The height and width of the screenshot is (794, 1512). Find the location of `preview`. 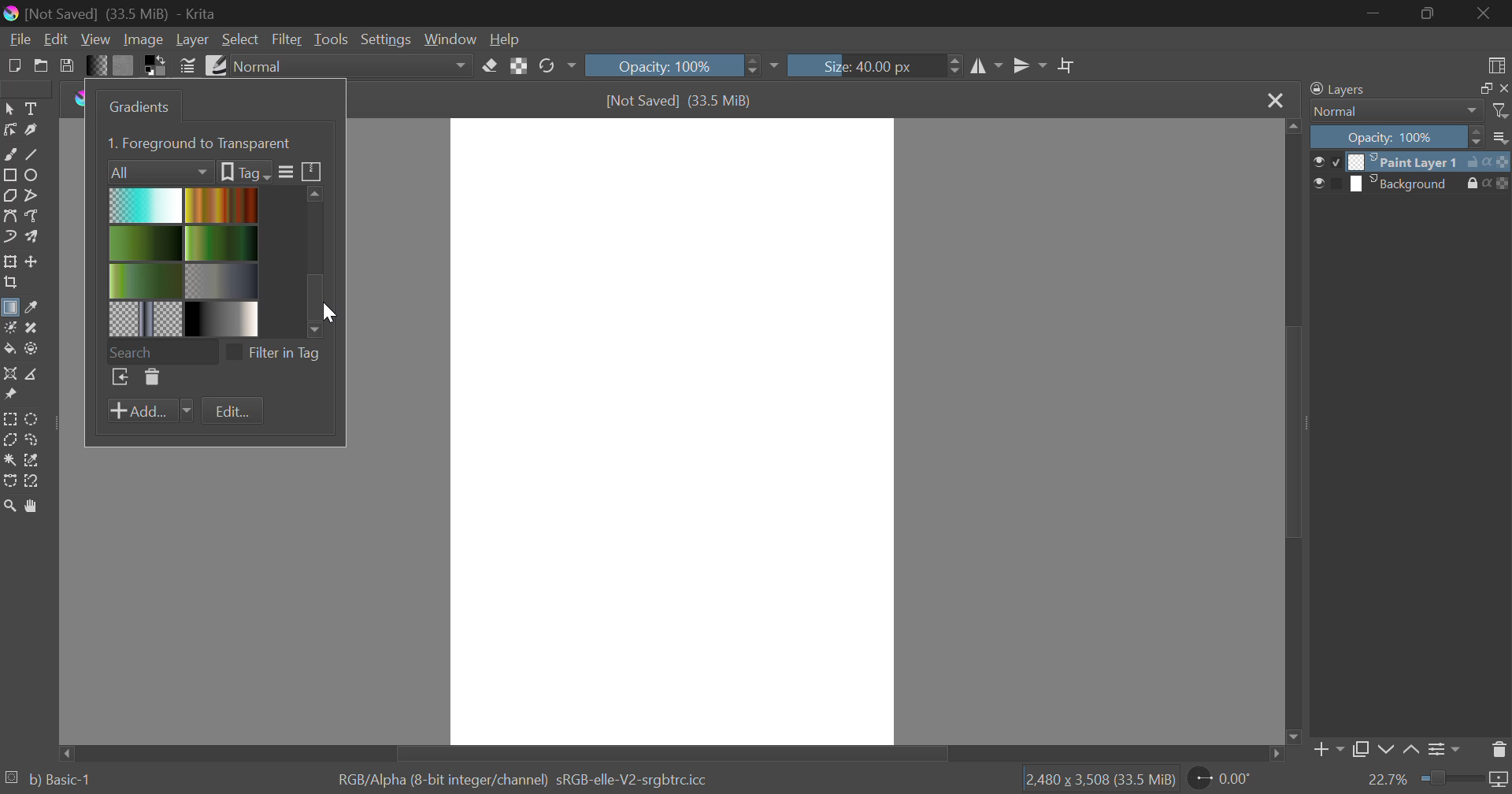

preview is located at coordinates (1327, 186).